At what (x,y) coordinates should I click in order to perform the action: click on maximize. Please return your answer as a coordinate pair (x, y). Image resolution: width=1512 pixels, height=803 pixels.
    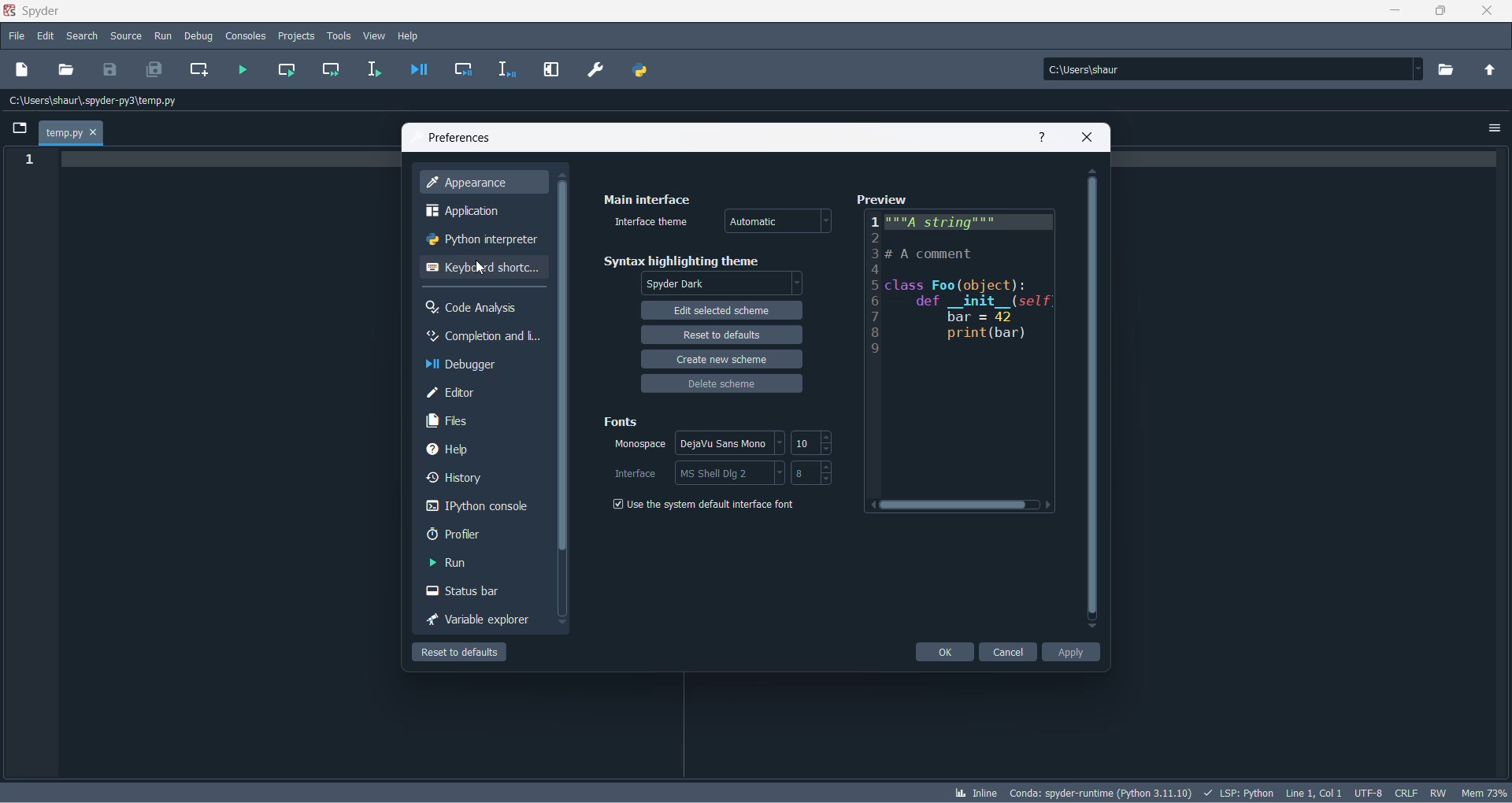
    Looking at the image, I should click on (1440, 12).